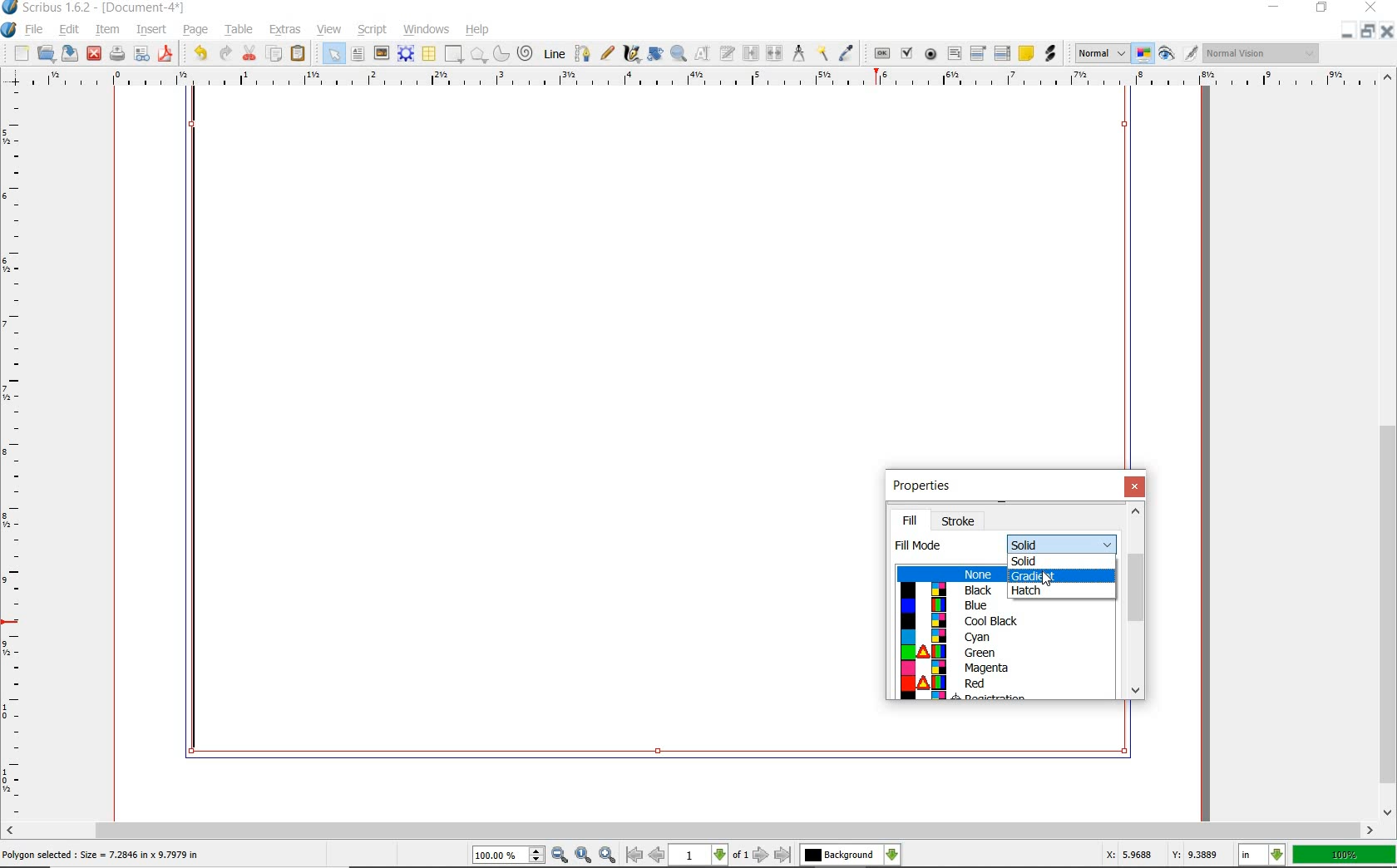 This screenshot has width=1397, height=868. What do you see at coordinates (1026, 53) in the screenshot?
I see `text annotation` at bounding box center [1026, 53].